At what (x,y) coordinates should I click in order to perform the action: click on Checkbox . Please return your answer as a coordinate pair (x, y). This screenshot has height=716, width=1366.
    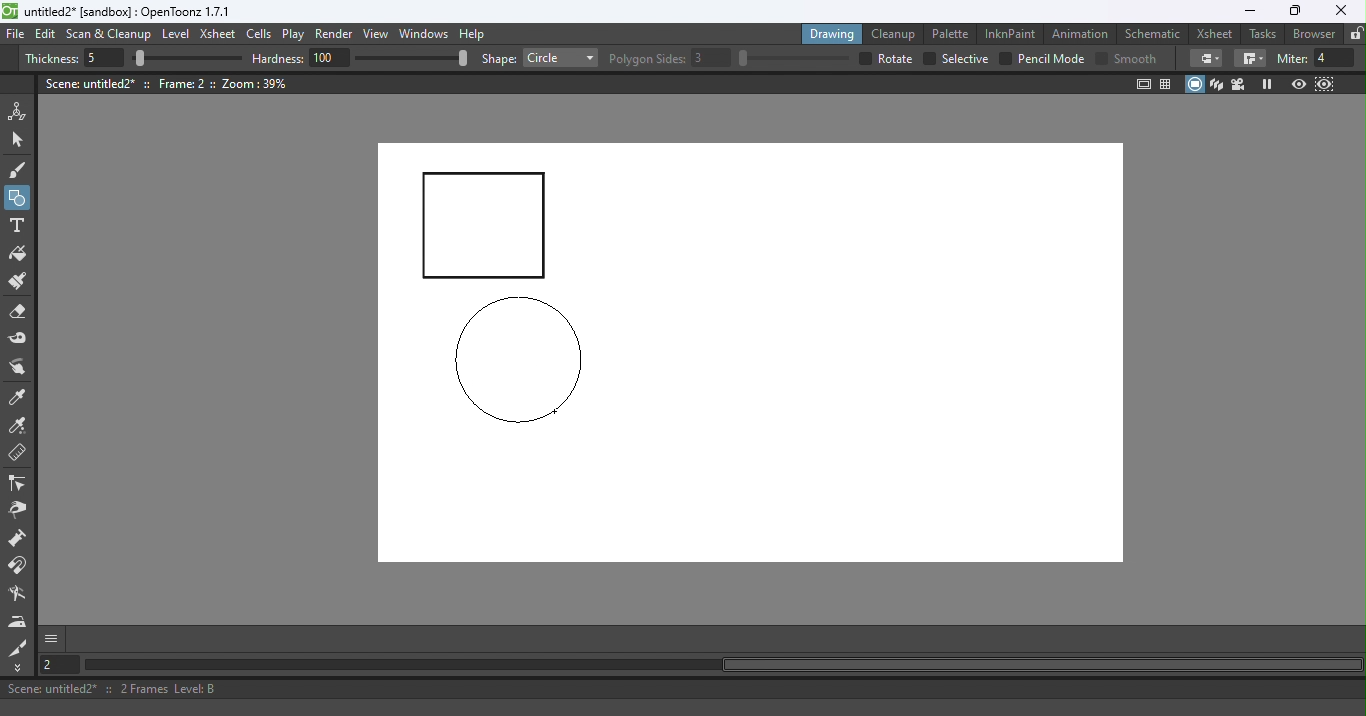
    Looking at the image, I should click on (1101, 57).